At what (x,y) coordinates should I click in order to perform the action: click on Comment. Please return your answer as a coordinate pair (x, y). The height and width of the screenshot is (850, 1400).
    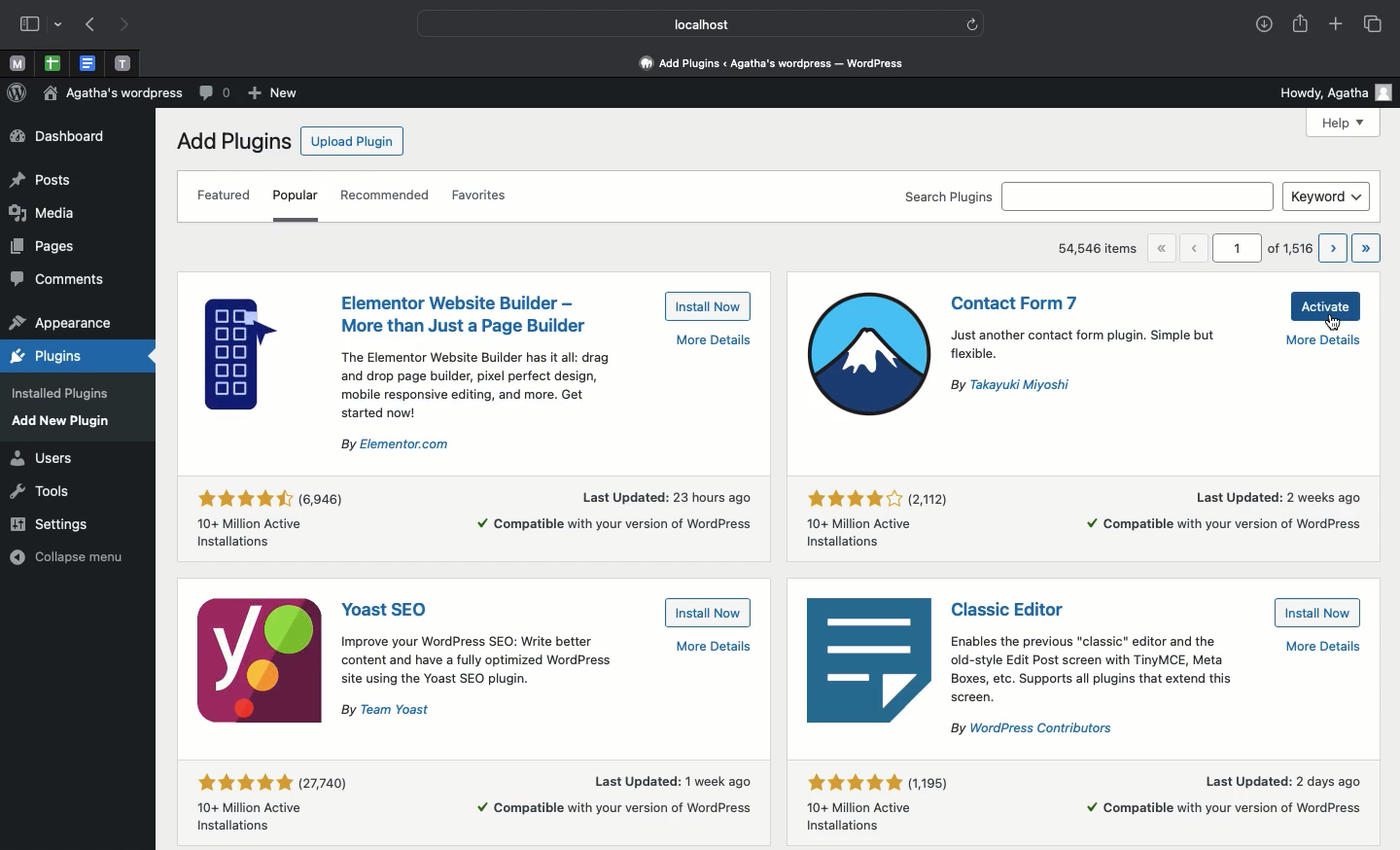
    Looking at the image, I should click on (213, 94).